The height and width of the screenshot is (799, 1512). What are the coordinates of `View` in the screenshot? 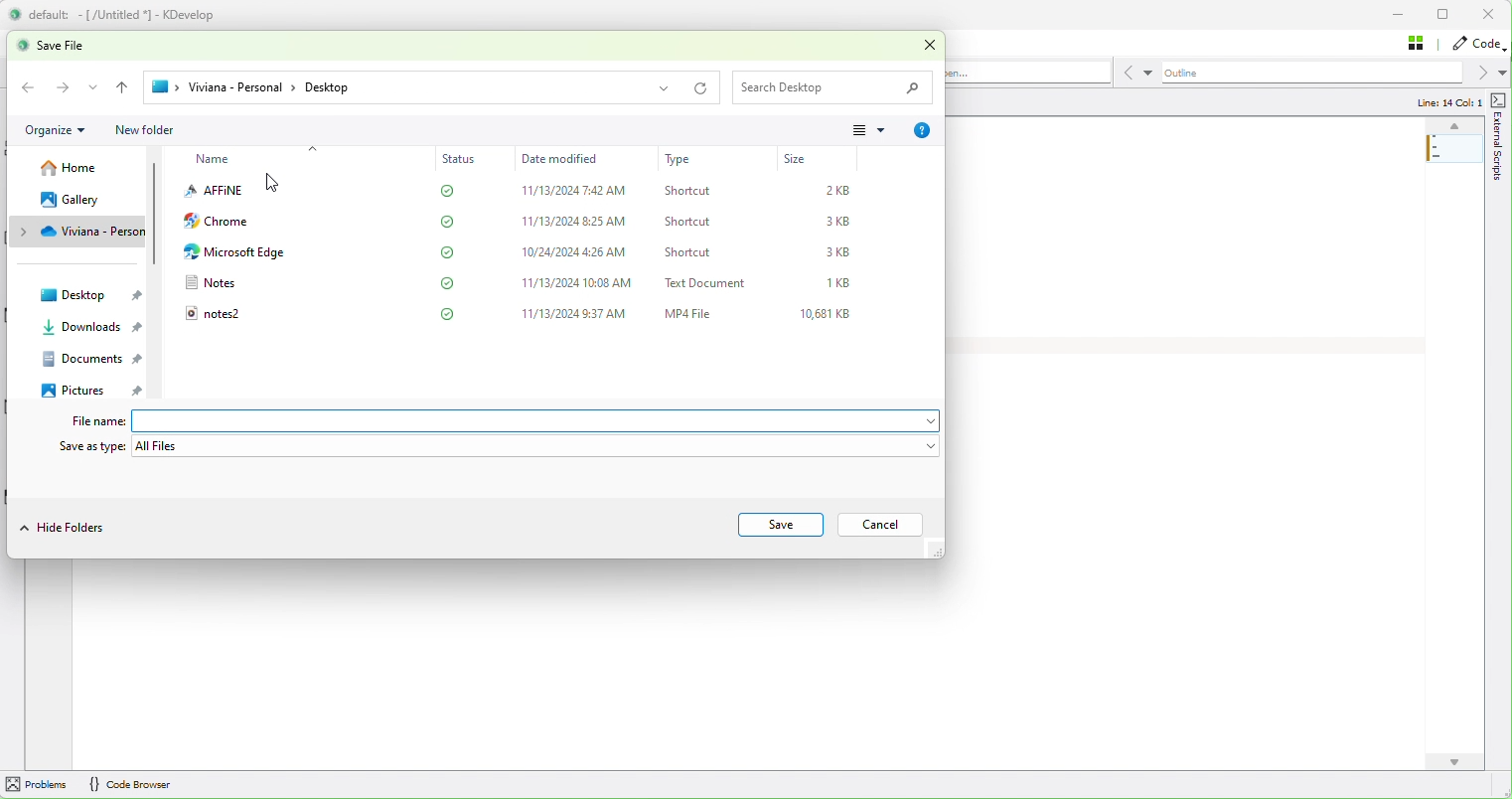 It's located at (873, 129).